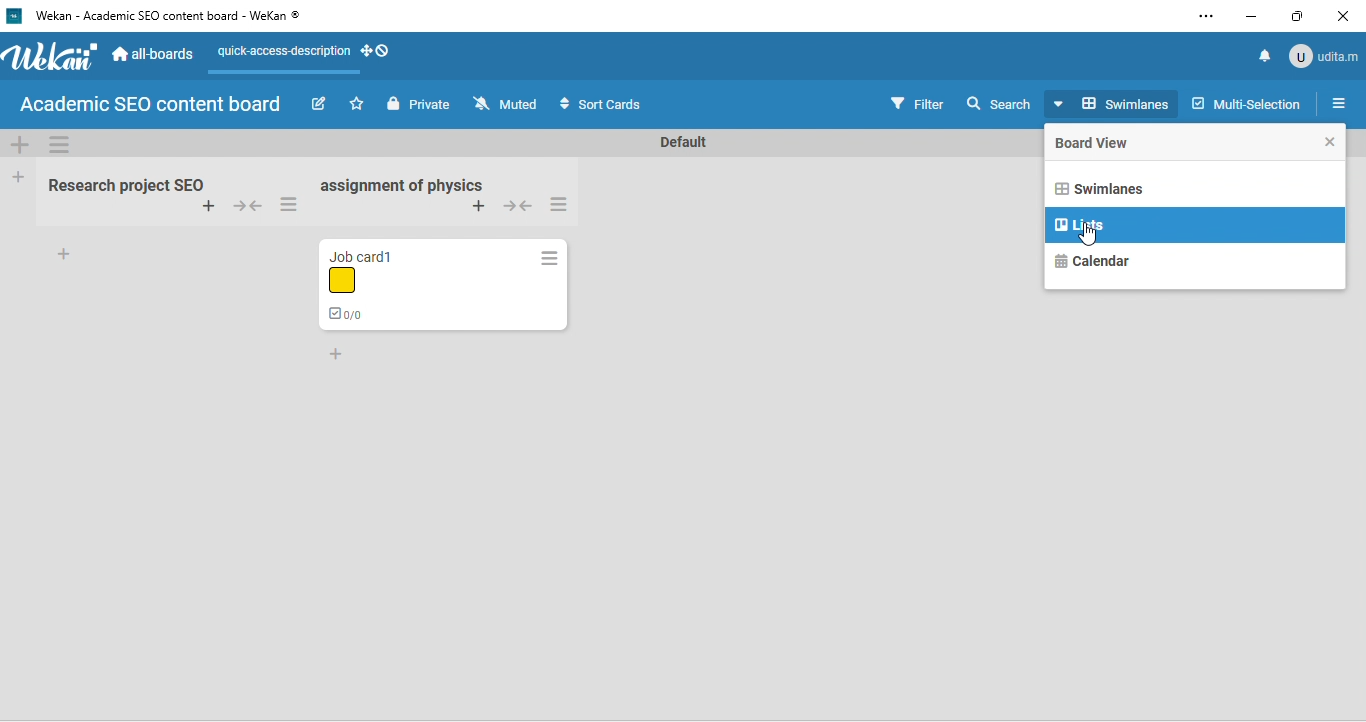 This screenshot has height=722, width=1366. I want to click on wekan logo, so click(50, 59).